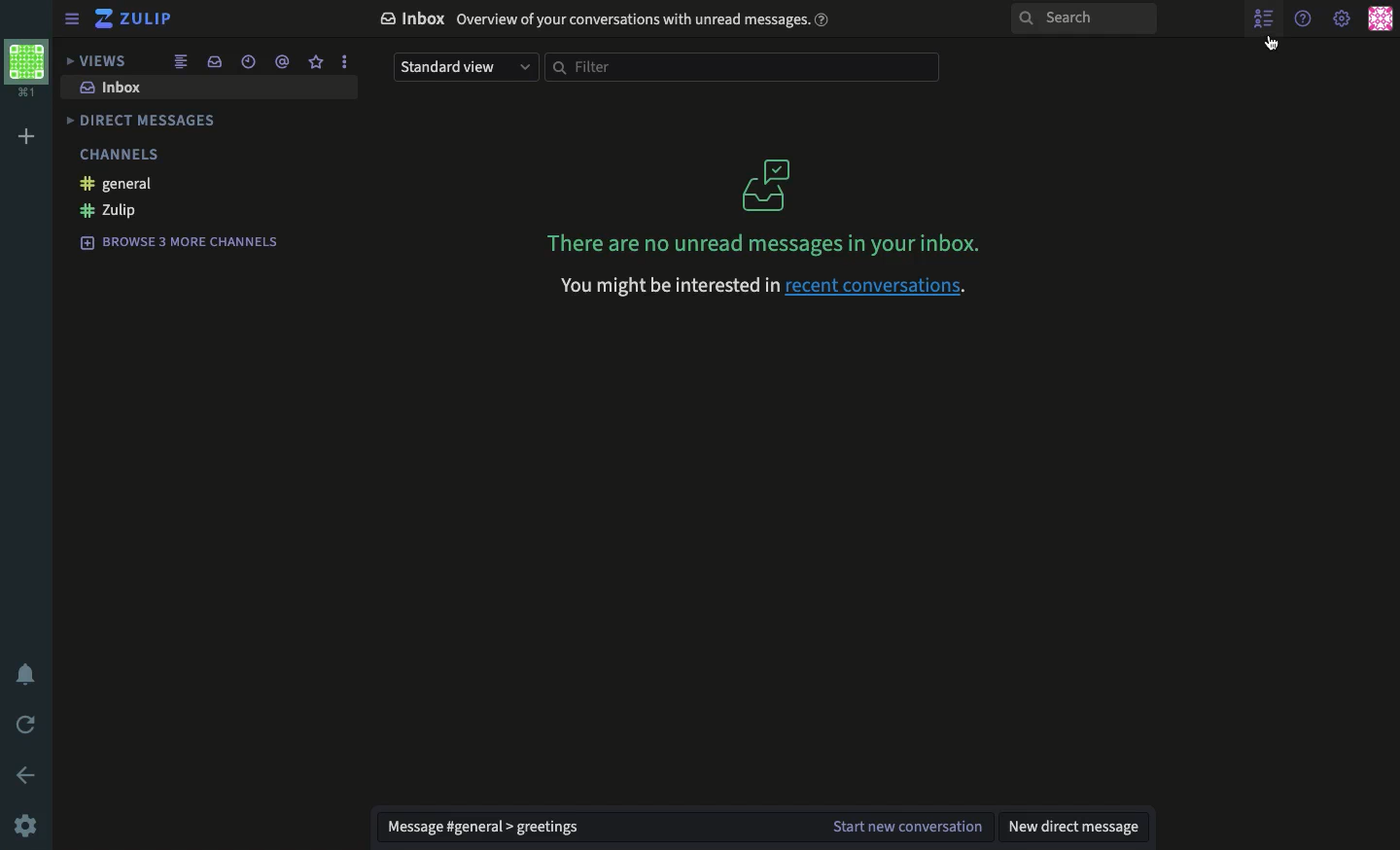 Image resolution: width=1400 pixels, height=850 pixels. What do you see at coordinates (110, 184) in the screenshot?
I see `general` at bounding box center [110, 184].